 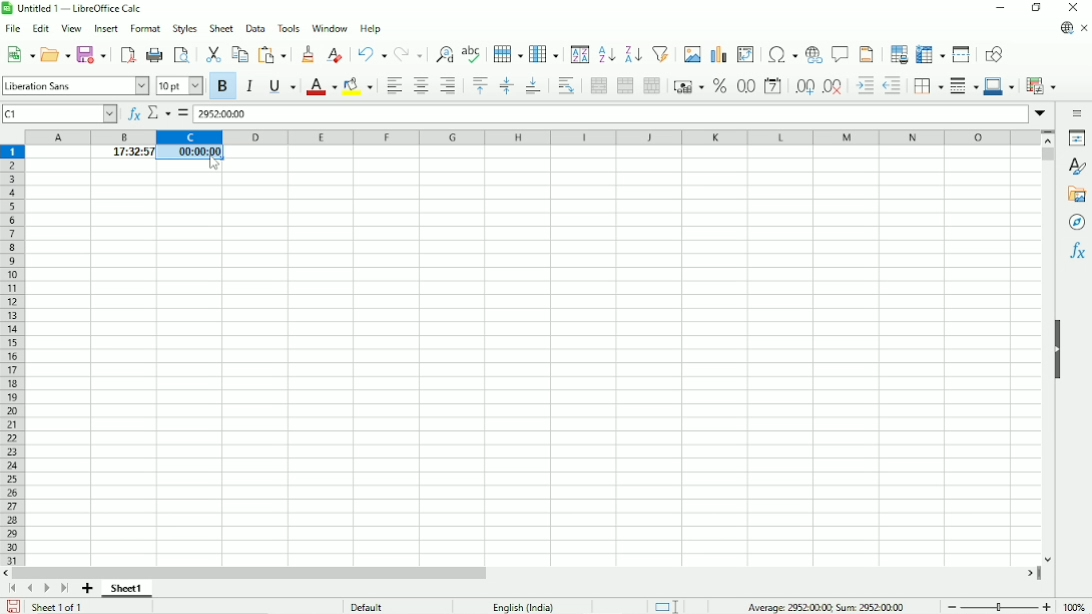 I want to click on Wrap text, so click(x=566, y=86).